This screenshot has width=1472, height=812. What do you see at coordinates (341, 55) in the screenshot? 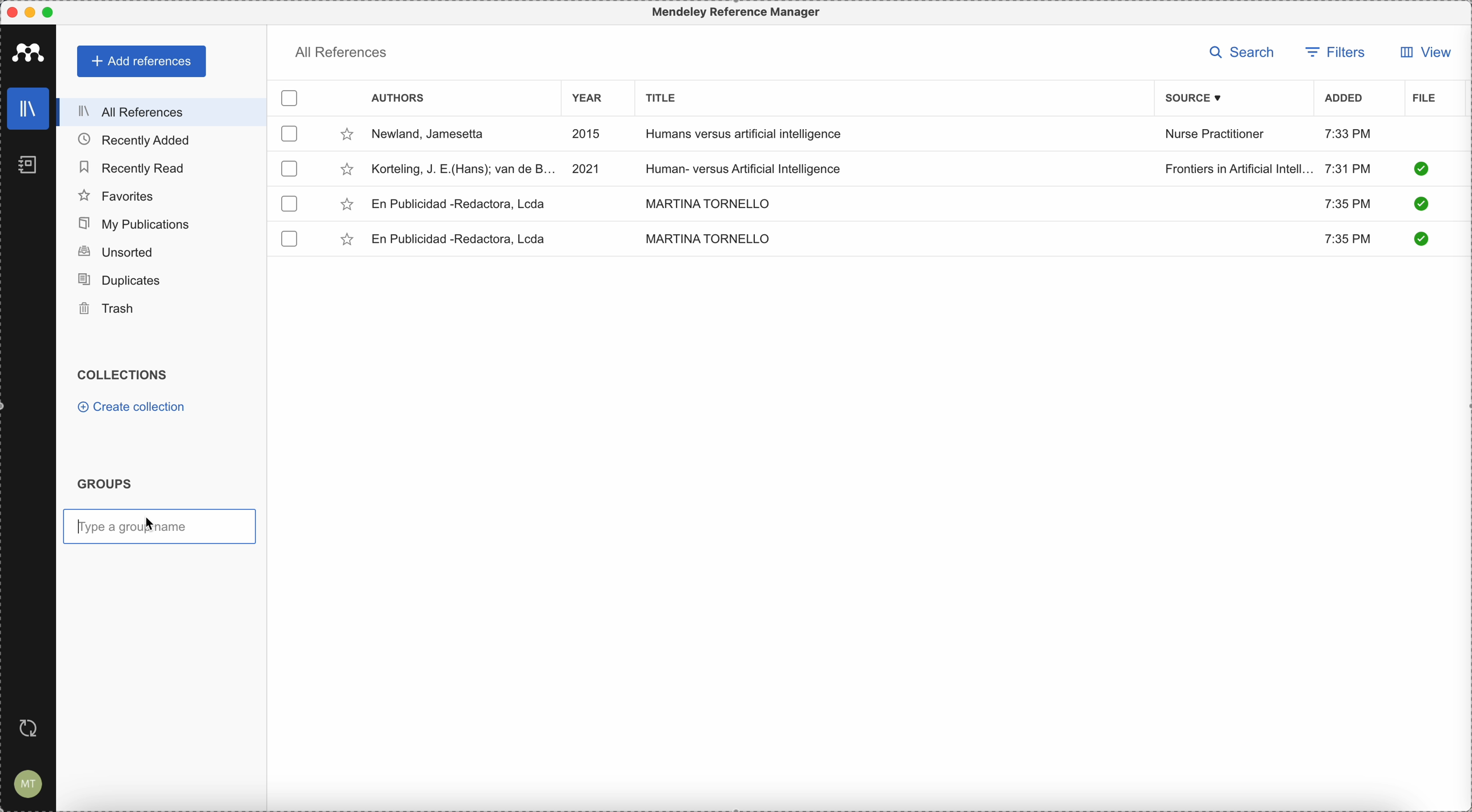
I see `all references` at bounding box center [341, 55].